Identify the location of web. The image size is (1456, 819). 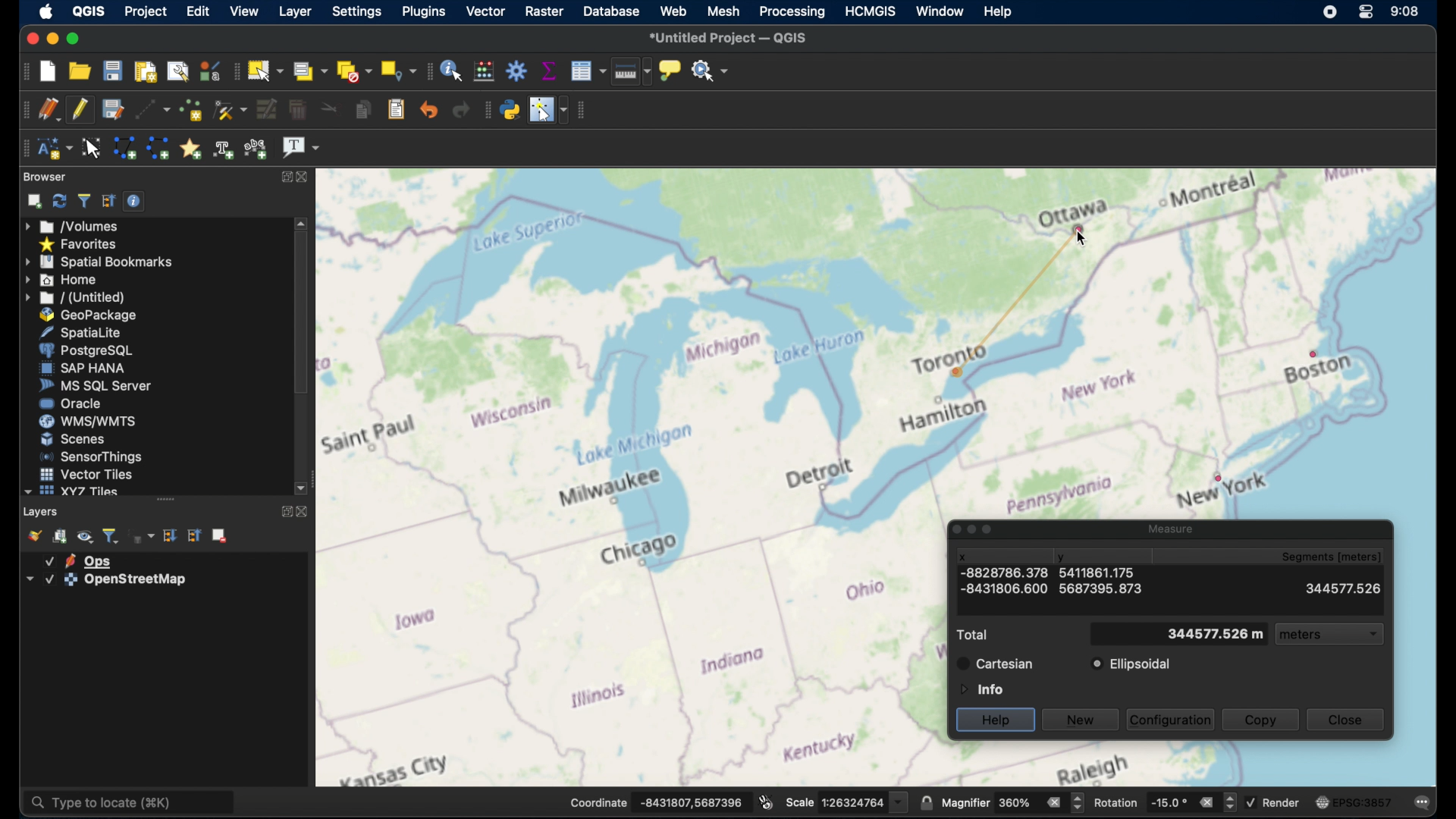
(673, 12).